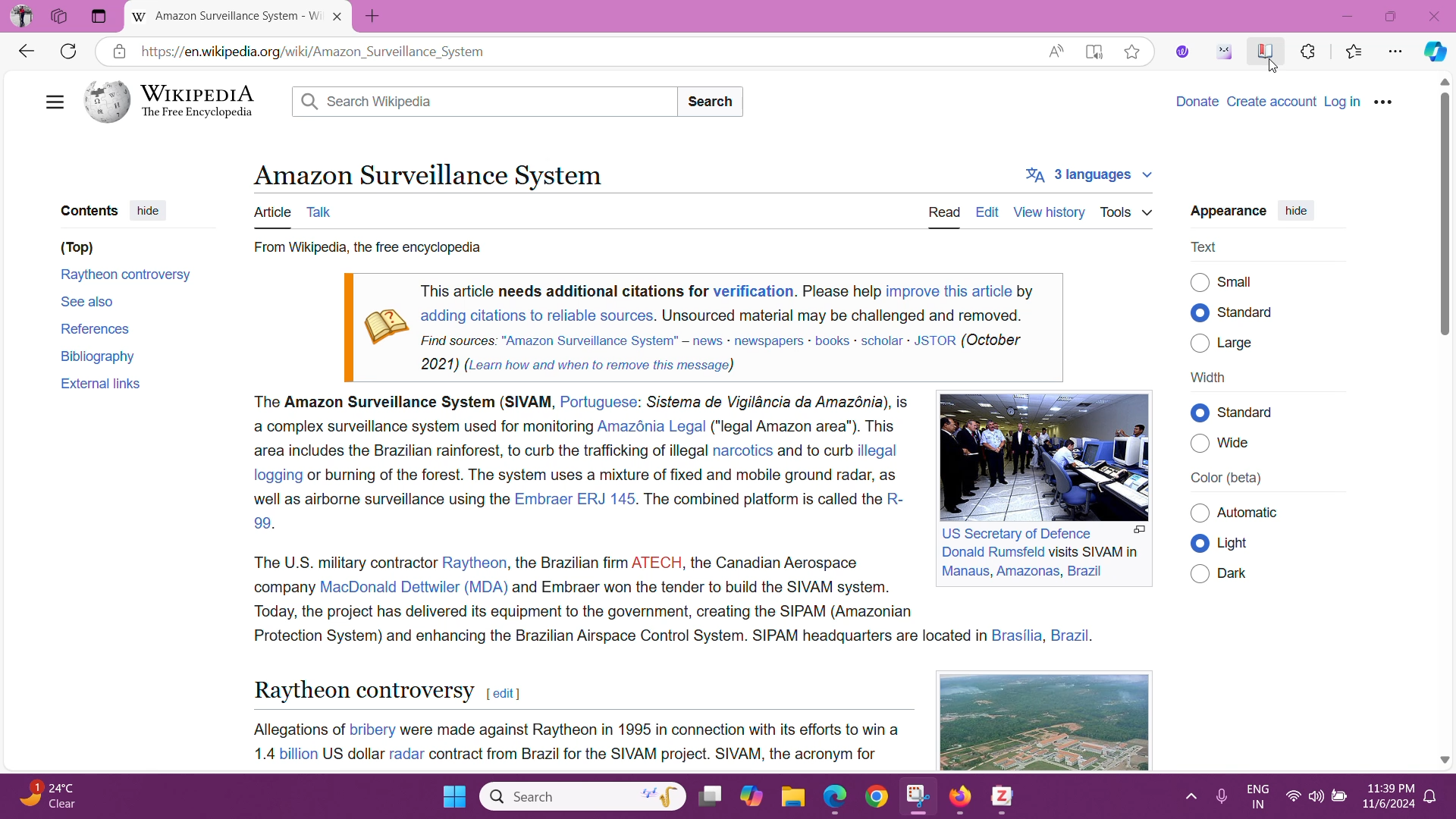 Image resolution: width=1456 pixels, height=819 pixels. What do you see at coordinates (1348, 15) in the screenshot?
I see `Minimize` at bounding box center [1348, 15].